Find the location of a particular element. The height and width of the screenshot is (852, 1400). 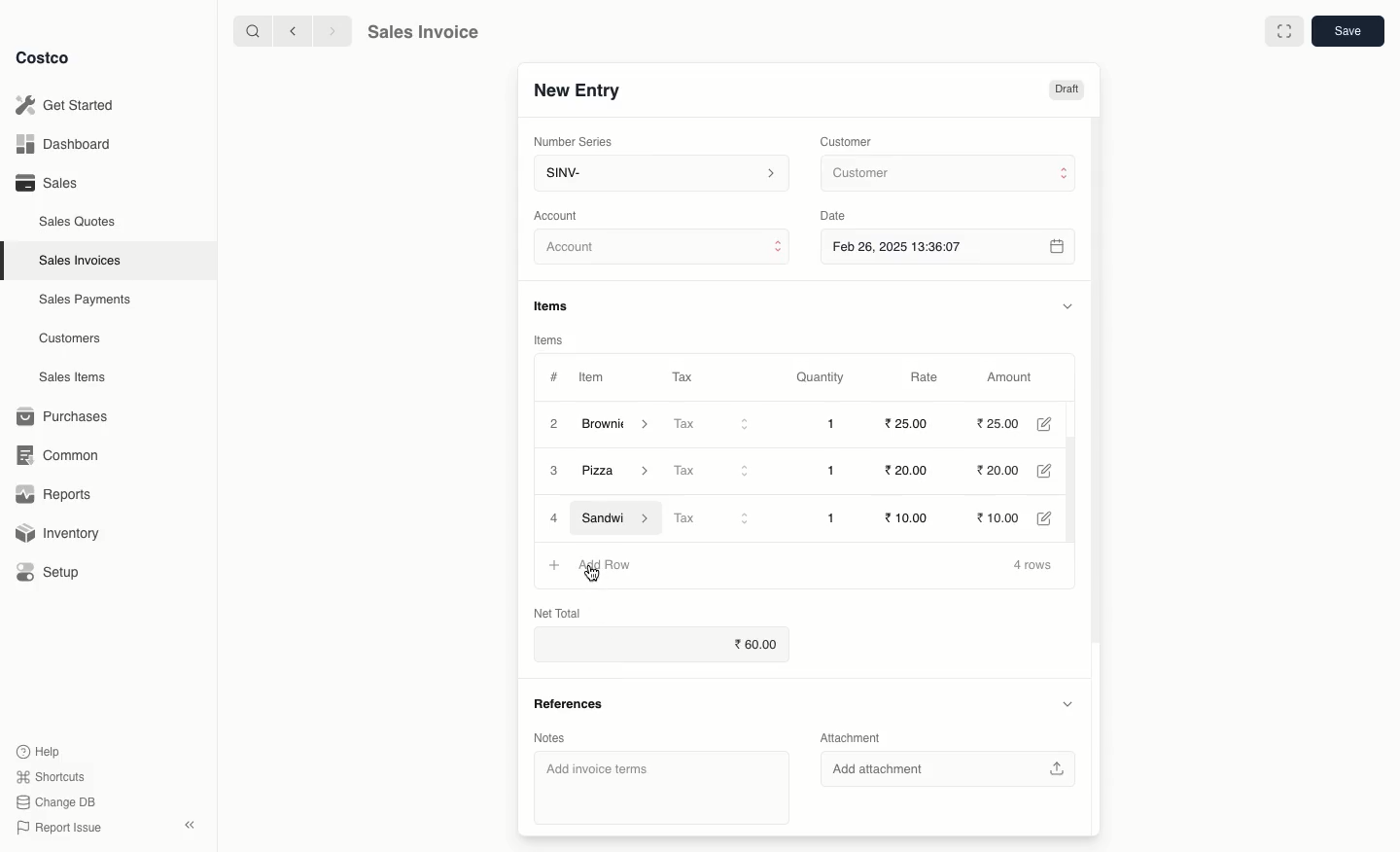

‘Add attachment is located at coordinates (954, 770).